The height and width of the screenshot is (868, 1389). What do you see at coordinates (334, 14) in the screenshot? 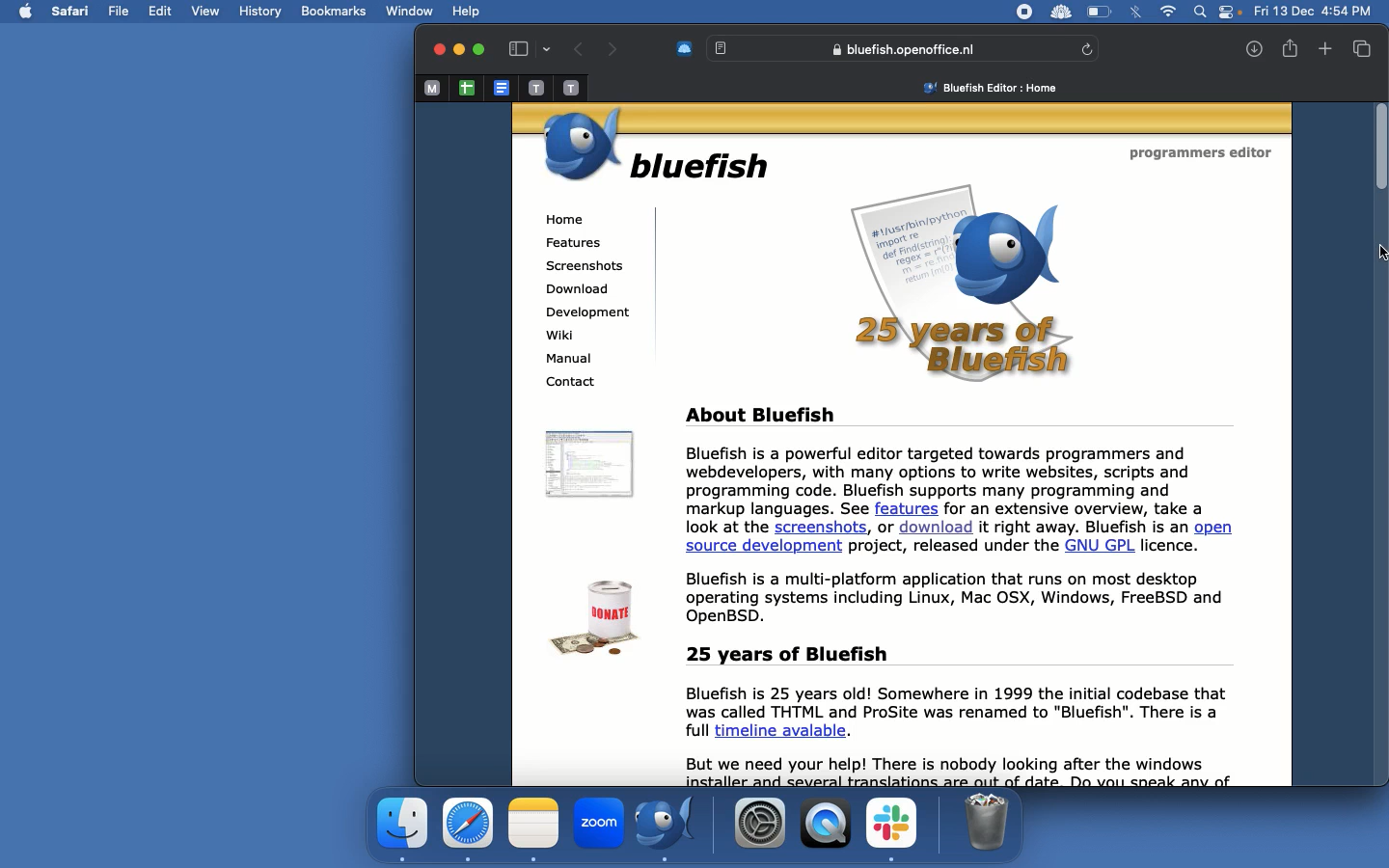
I see `Bookmarks` at bounding box center [334, 14].